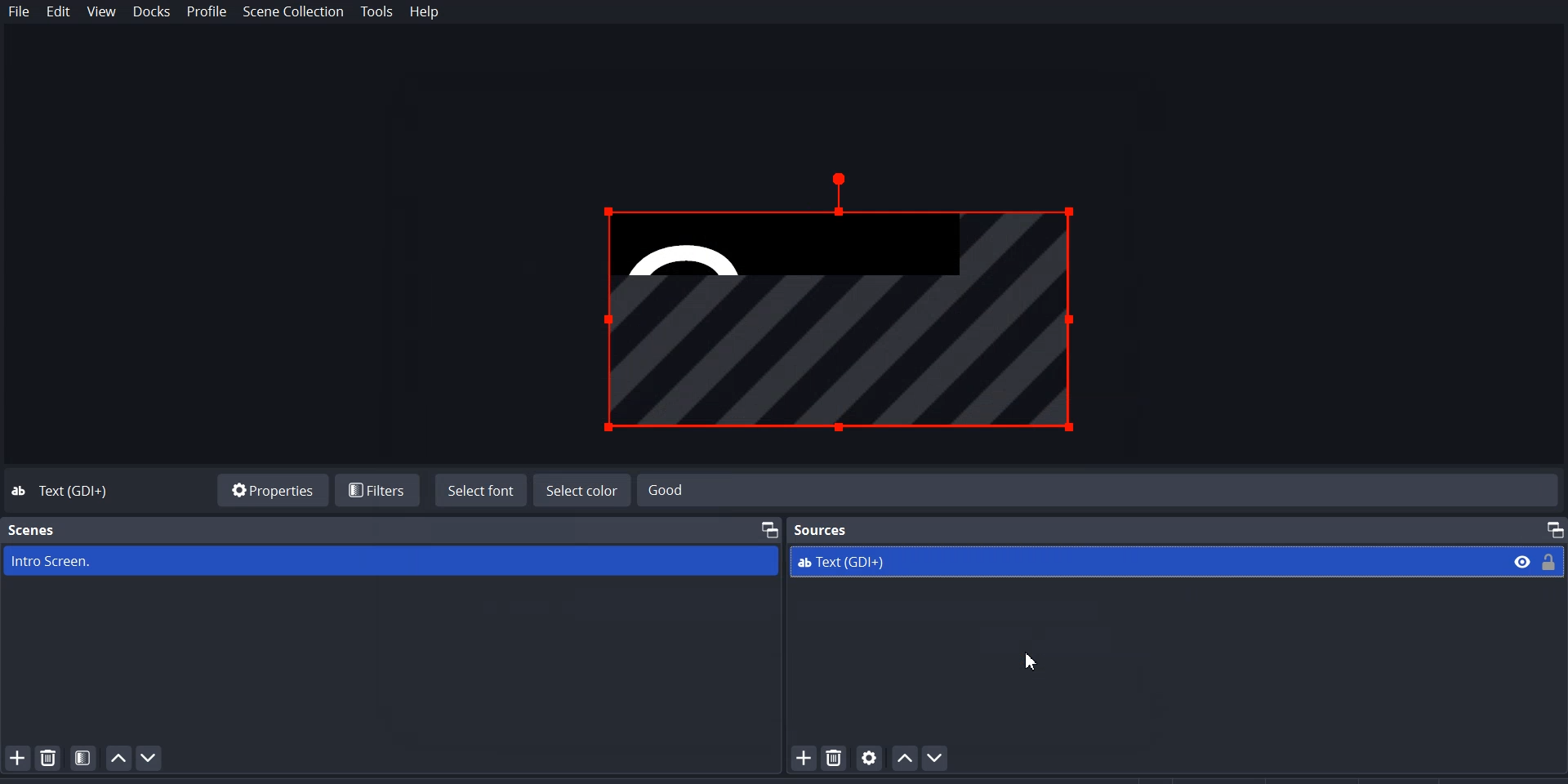  Describe the element at coordinates (269, 488) in the screenshot. I see `Properties` at that location.